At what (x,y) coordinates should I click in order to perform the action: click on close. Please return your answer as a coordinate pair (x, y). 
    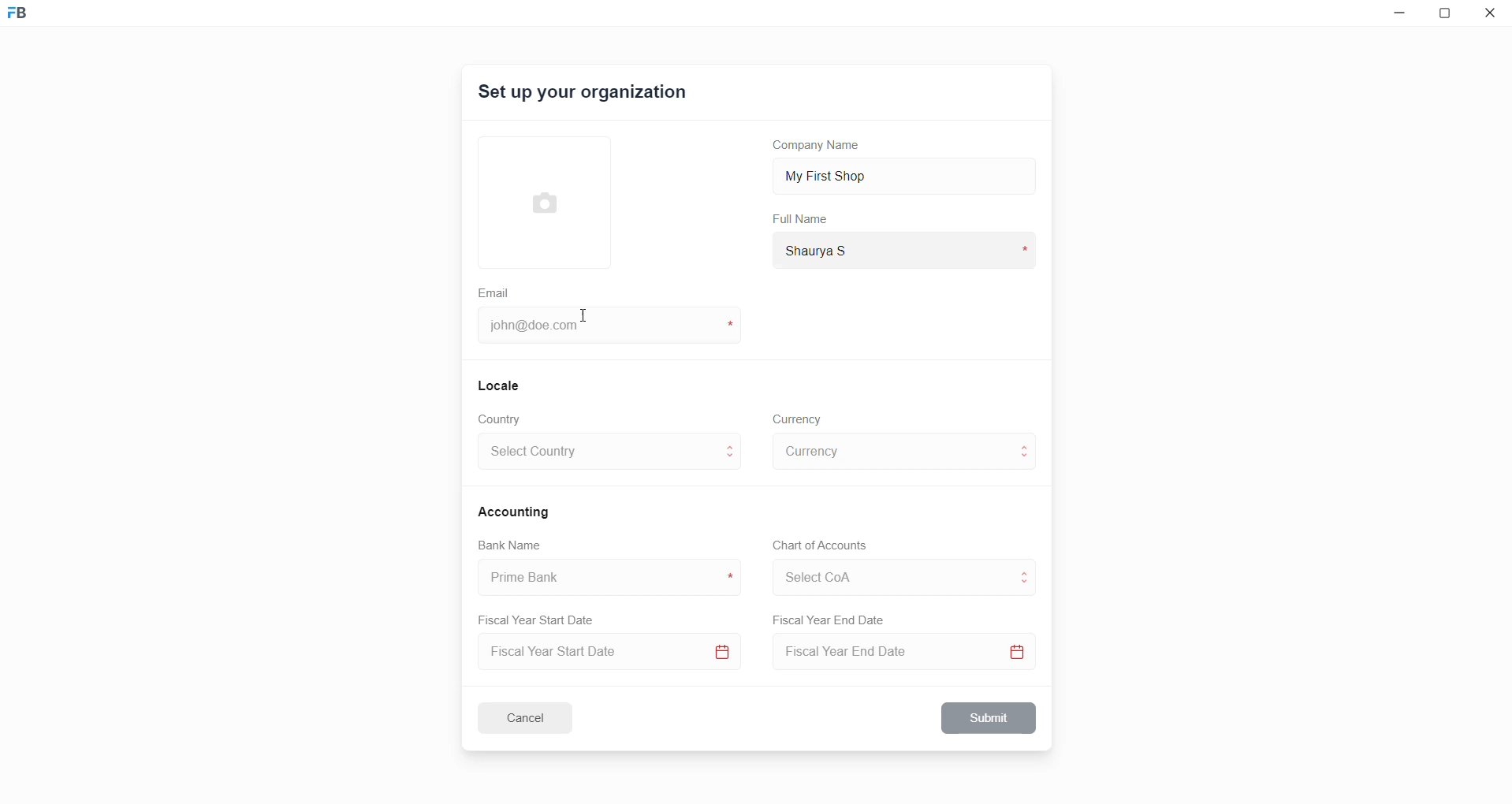
    Looking at the image, I should click on (1491, 16).